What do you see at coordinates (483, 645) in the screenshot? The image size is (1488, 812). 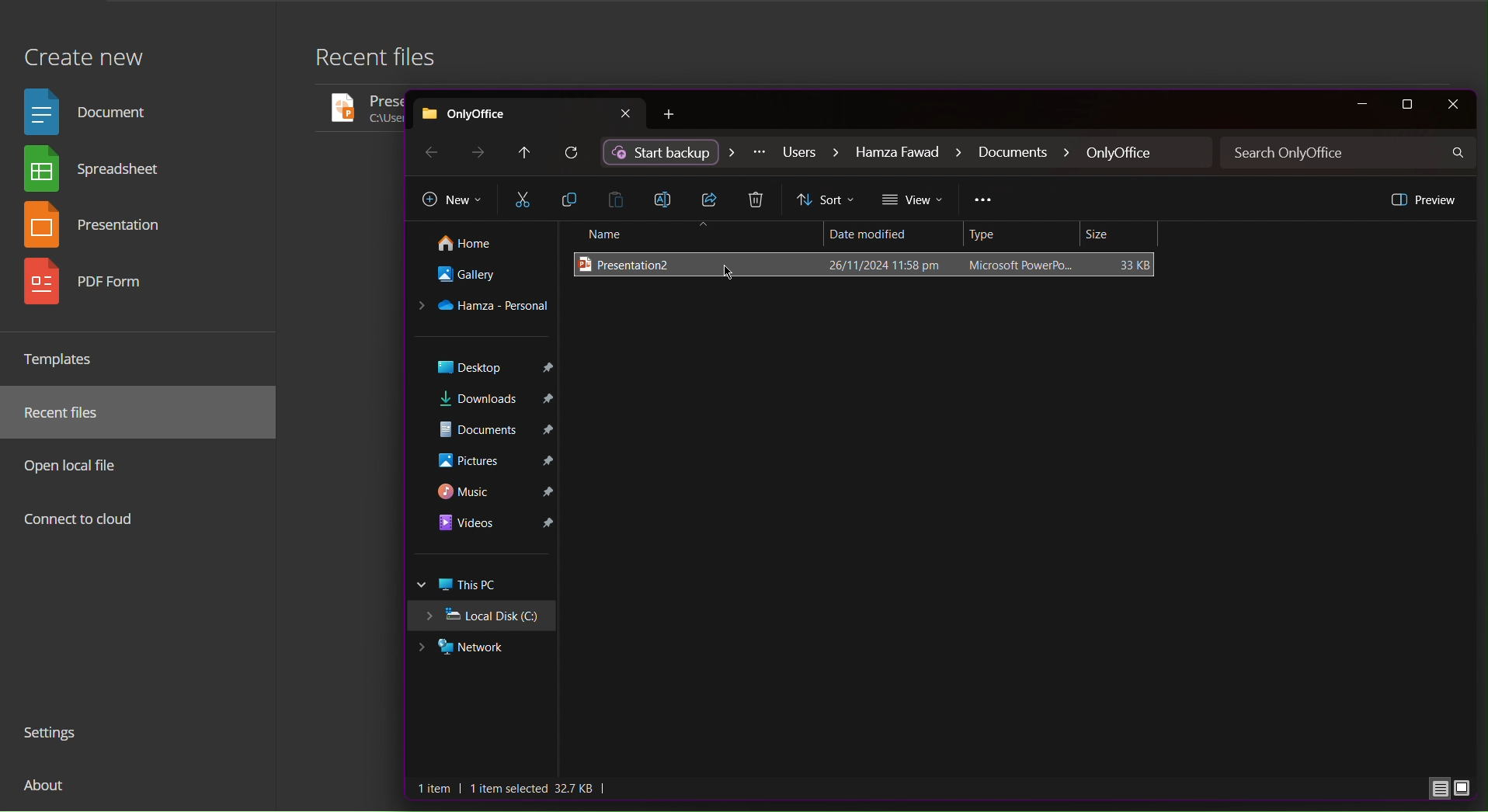 I see `Network` at bounding box center [483, 645].